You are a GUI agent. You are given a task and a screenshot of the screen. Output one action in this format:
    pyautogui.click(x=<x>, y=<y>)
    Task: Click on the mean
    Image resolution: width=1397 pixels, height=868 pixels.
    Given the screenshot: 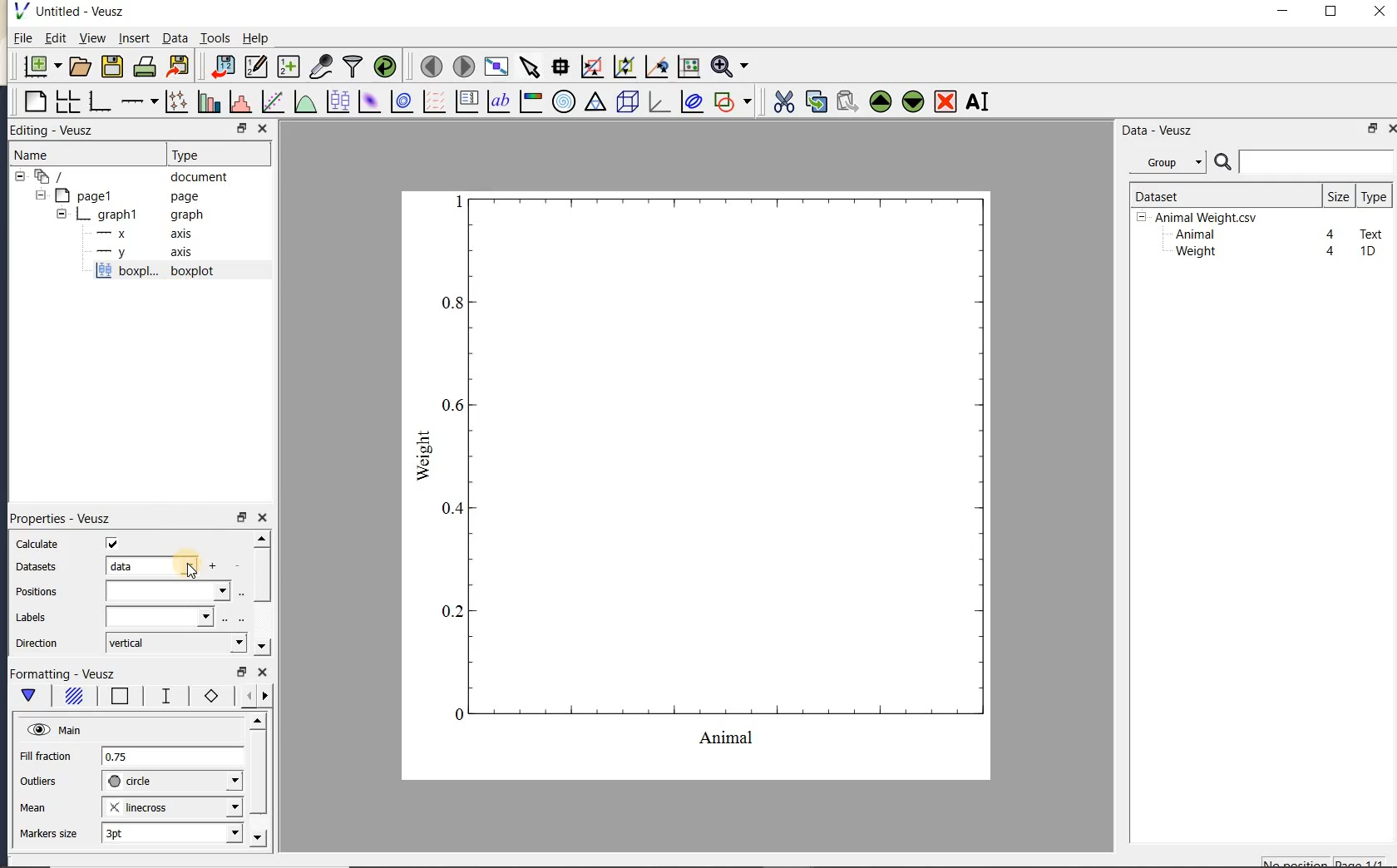 What is the action you would take?
    pyautogui.click(x=34, y=806)
    